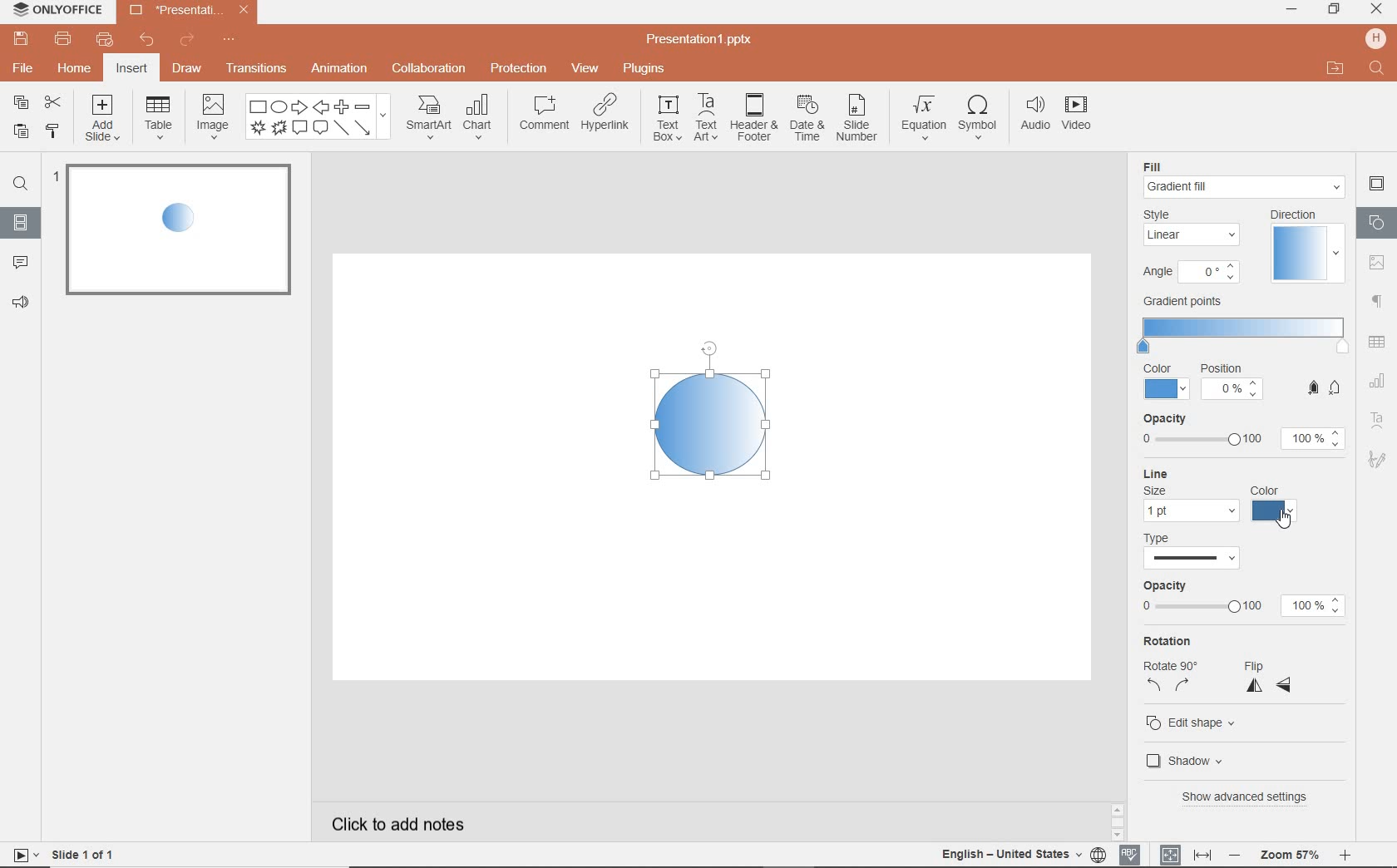 The height and width of the screenshot is (868, 1397). Describe the element at coordinates (19, 38) in the screenshot. I see `save` at that location.